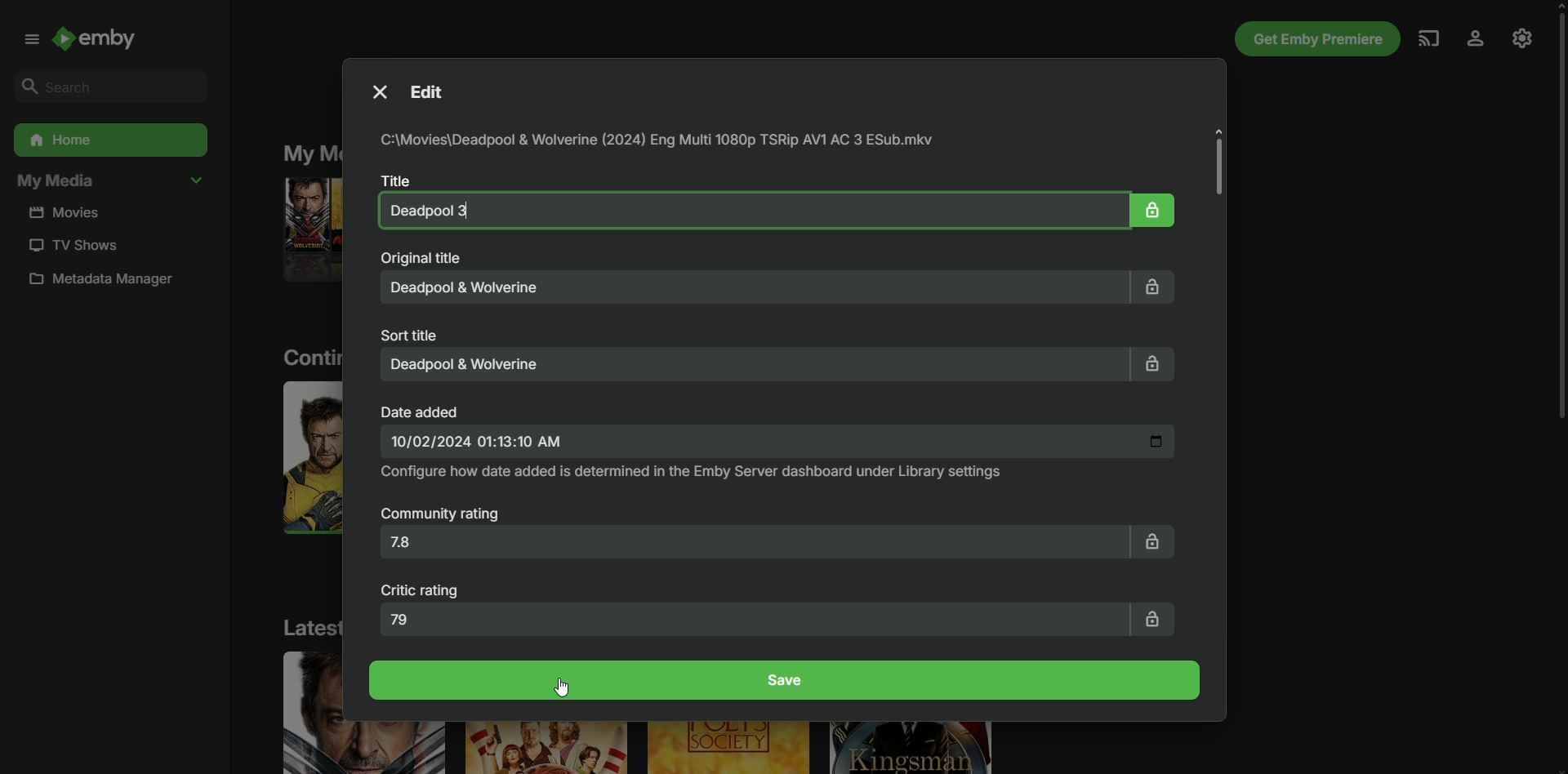  What do you see at coordinates (1154, 208) in the screenshot?
I see `Lock` at bounding box center [1154, 208].